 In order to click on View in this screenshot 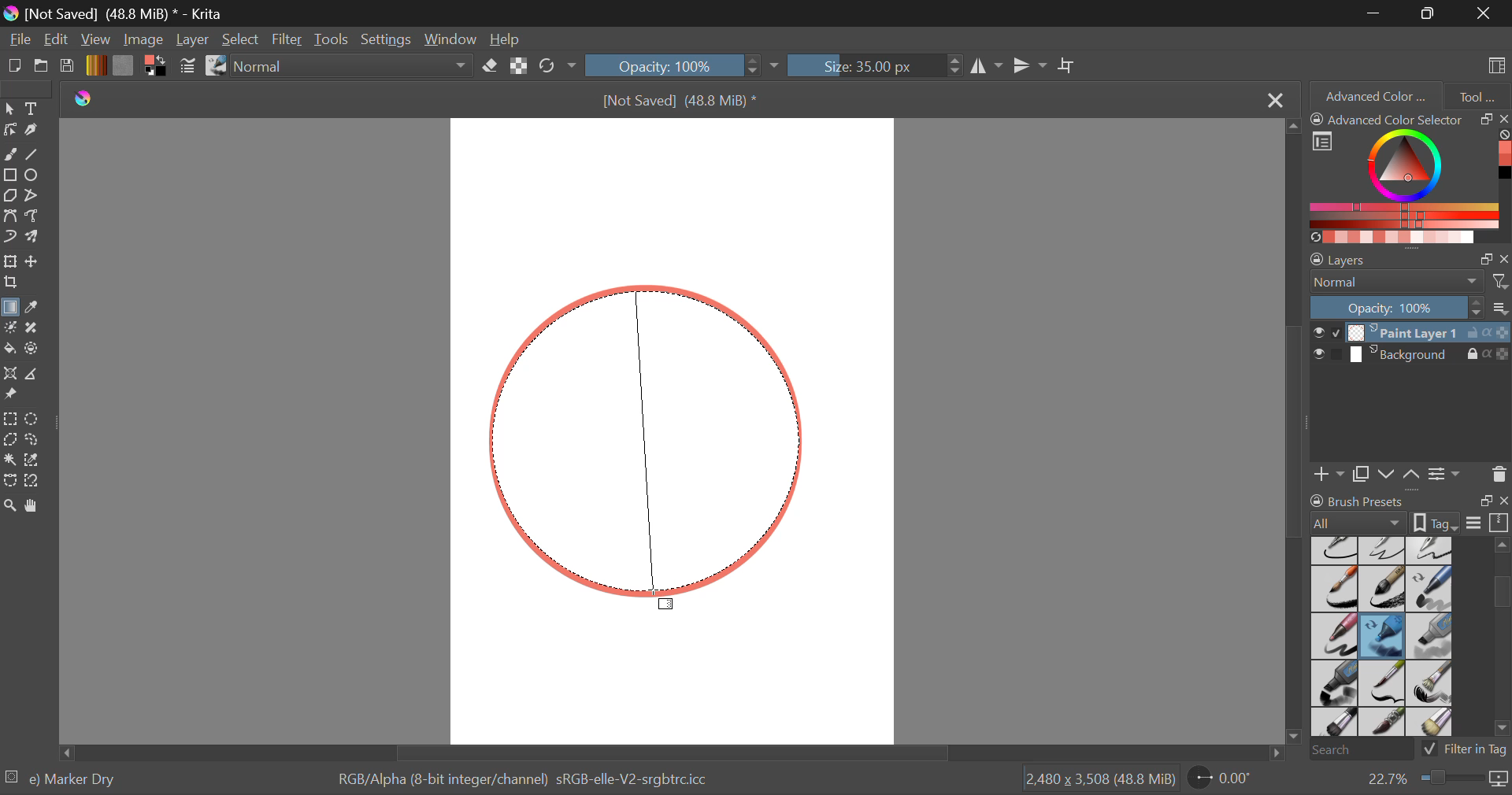, I will do `click(98, 40)`.